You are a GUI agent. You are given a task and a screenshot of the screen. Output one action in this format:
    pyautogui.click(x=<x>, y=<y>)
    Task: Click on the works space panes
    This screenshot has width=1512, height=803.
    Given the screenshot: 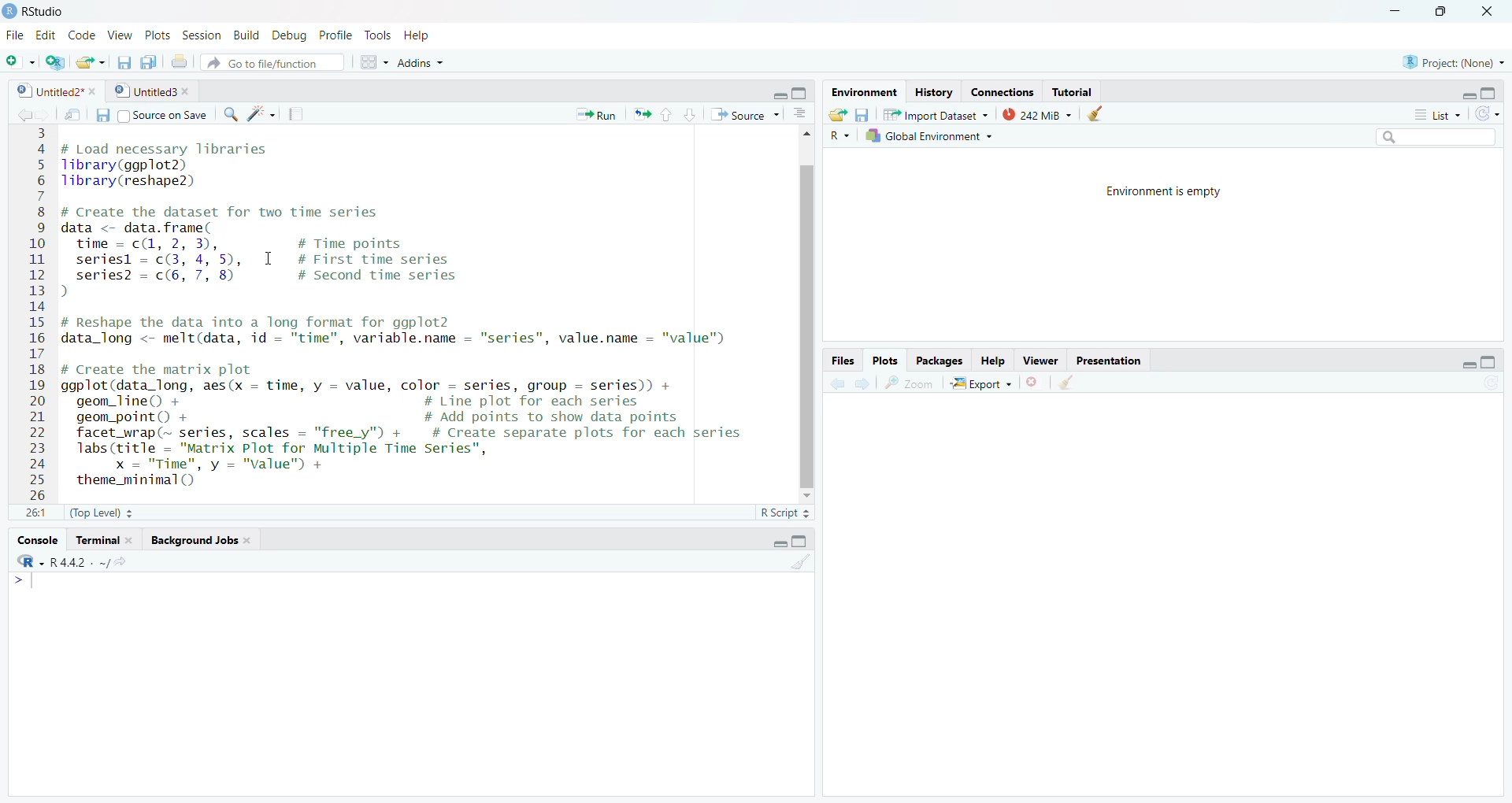 What is the action you would take?
    pyautogui.click(x=372, y=62)
    